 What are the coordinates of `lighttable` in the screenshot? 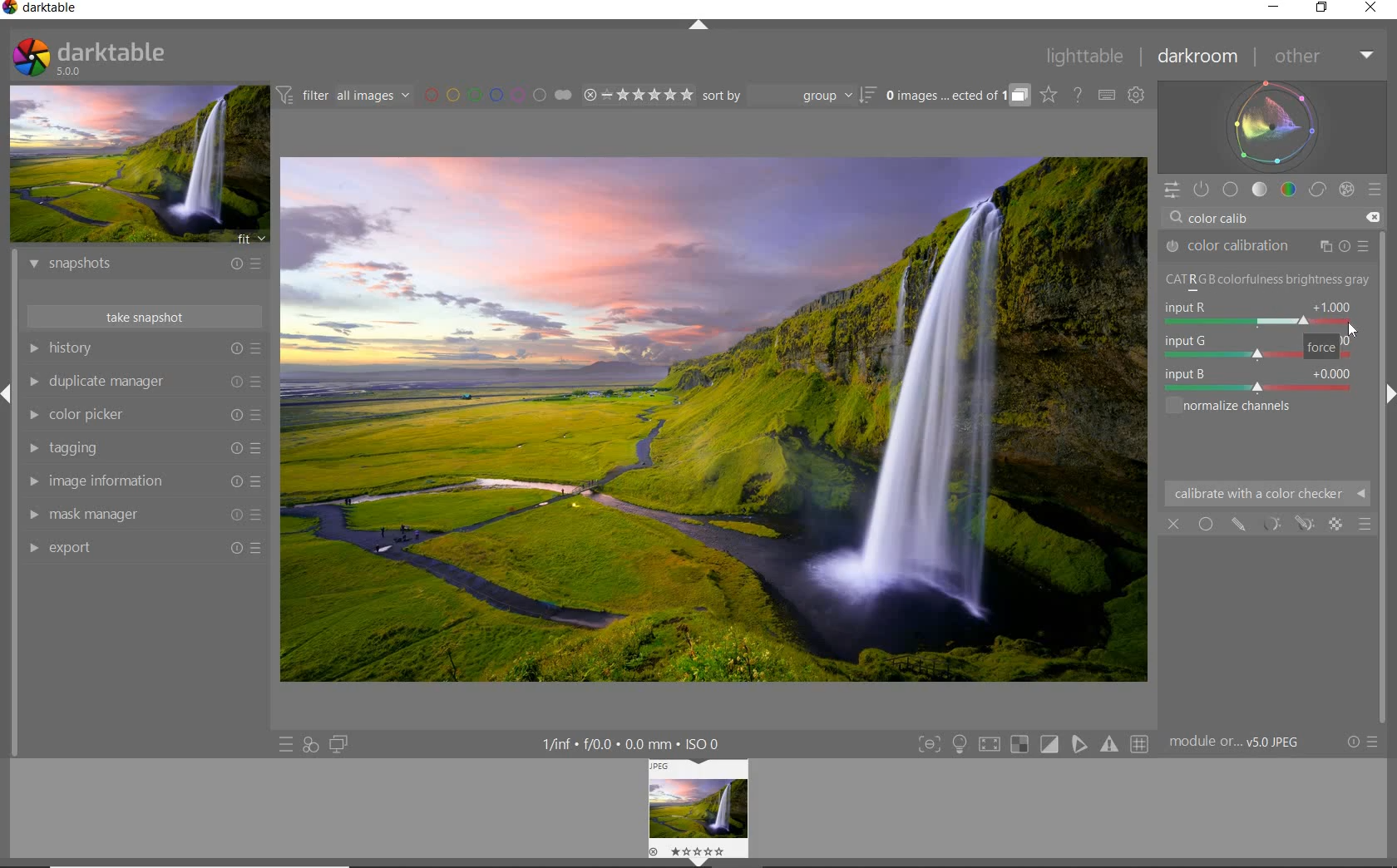 It's located at (1089, 57).